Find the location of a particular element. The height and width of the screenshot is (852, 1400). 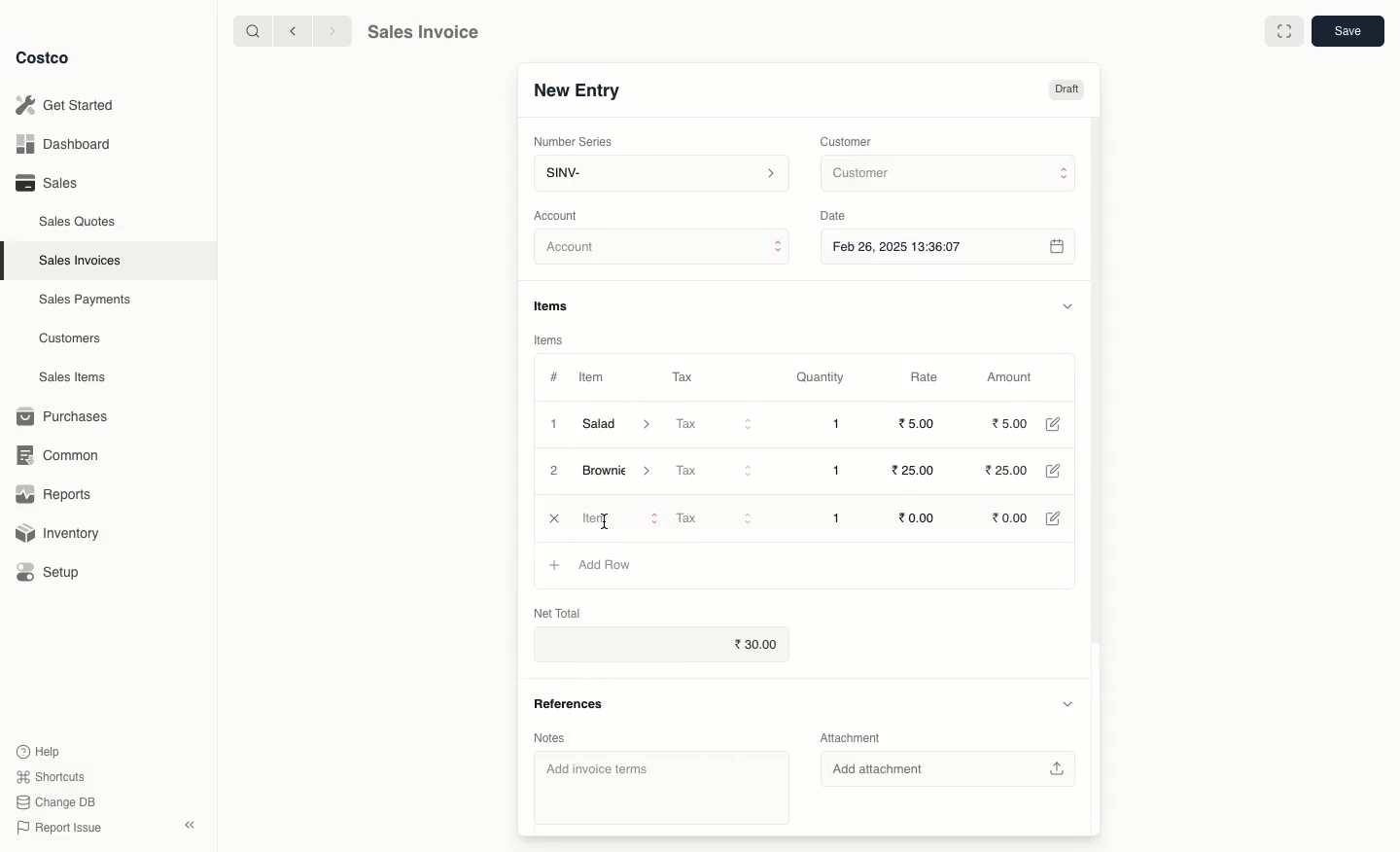

‘Account is located at coordinates (560, 215).